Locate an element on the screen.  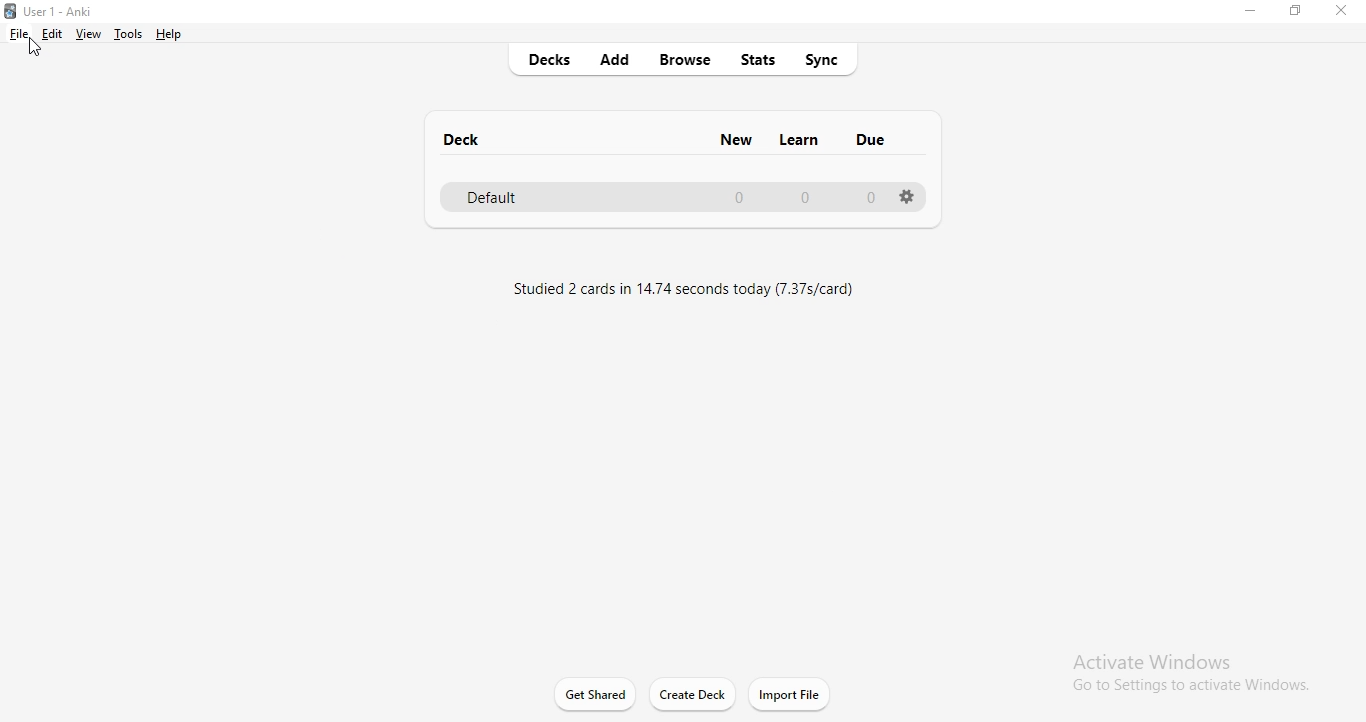
settings is located at coordinates (907, 199).